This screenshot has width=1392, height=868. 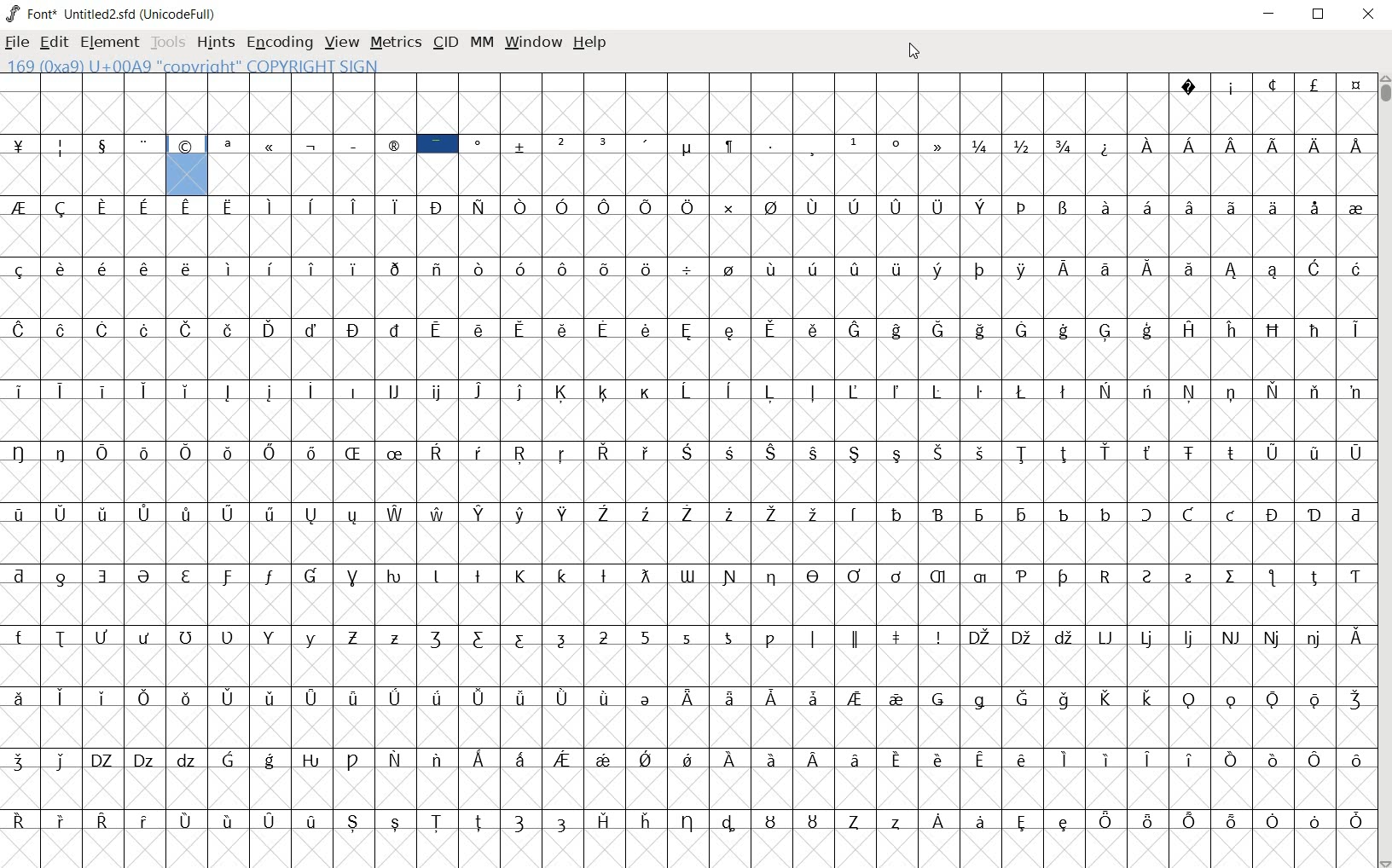 I want to click on help, so click(x=589, y=43).